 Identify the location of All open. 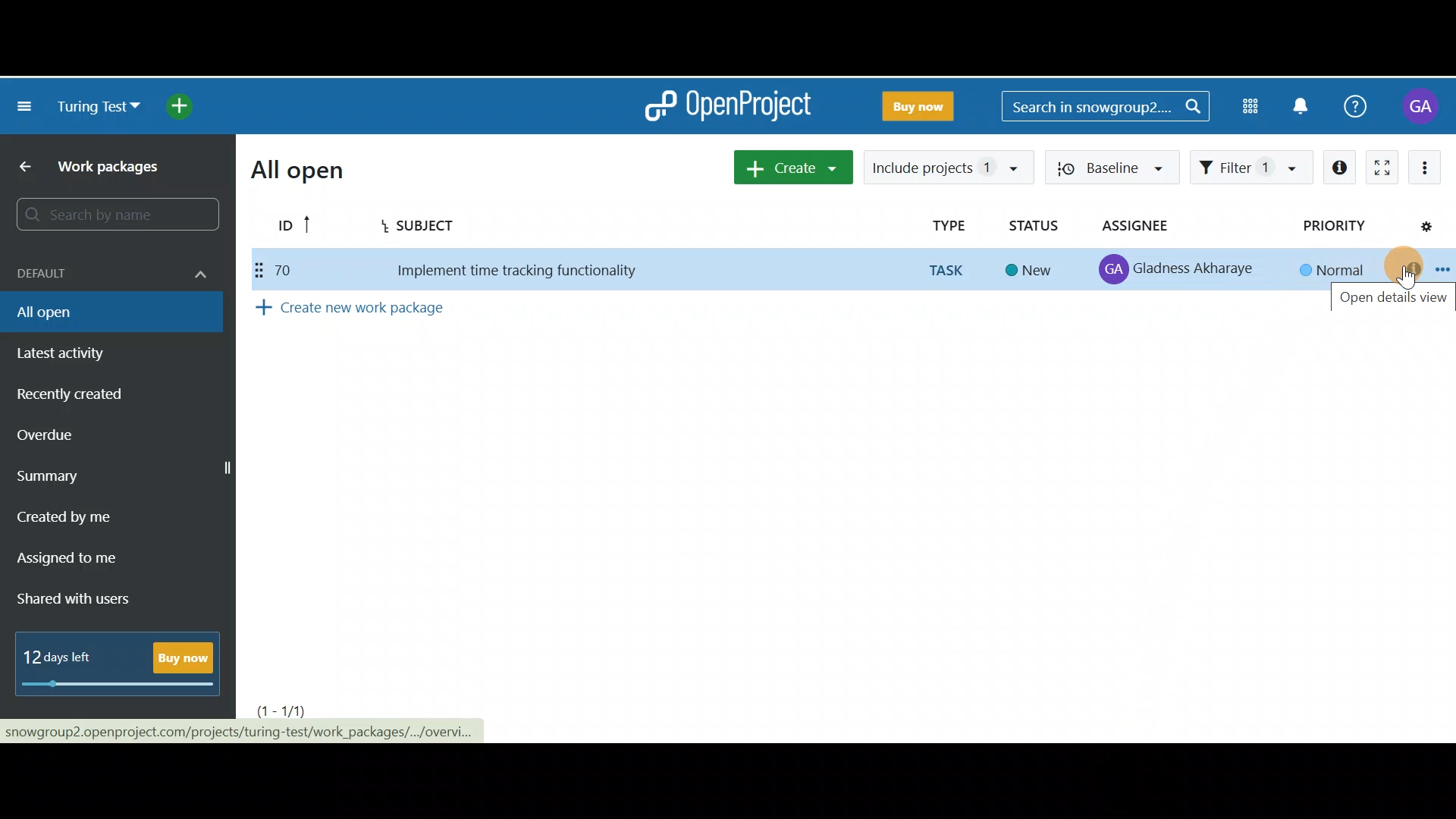
(337, 165).